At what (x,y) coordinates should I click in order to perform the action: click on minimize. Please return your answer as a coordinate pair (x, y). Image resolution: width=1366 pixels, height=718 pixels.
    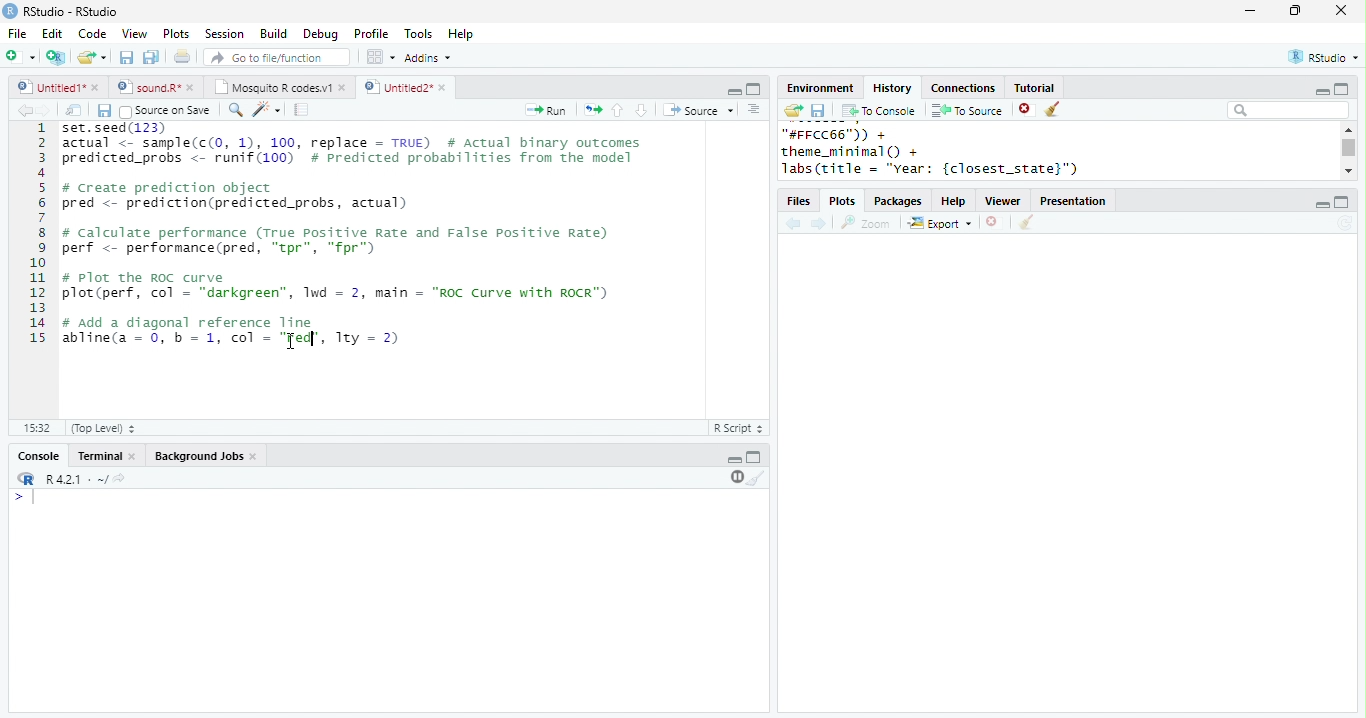
    Looking at the image, I should click on (1249, 10).